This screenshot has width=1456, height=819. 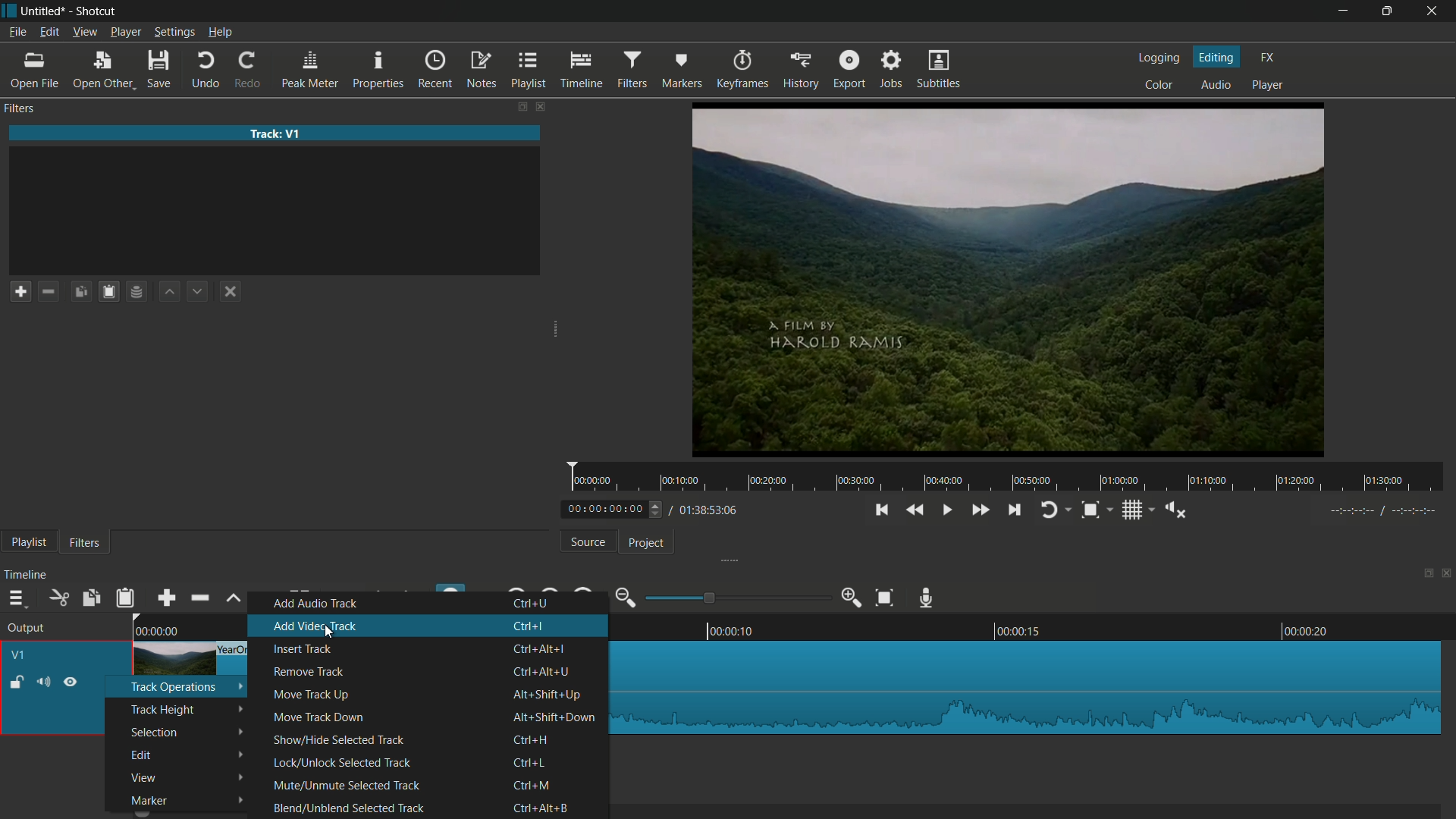 What do you see at coordinates (852, 598) in the screenshot?
I see `zoom in` at bounding box center [852, 598].